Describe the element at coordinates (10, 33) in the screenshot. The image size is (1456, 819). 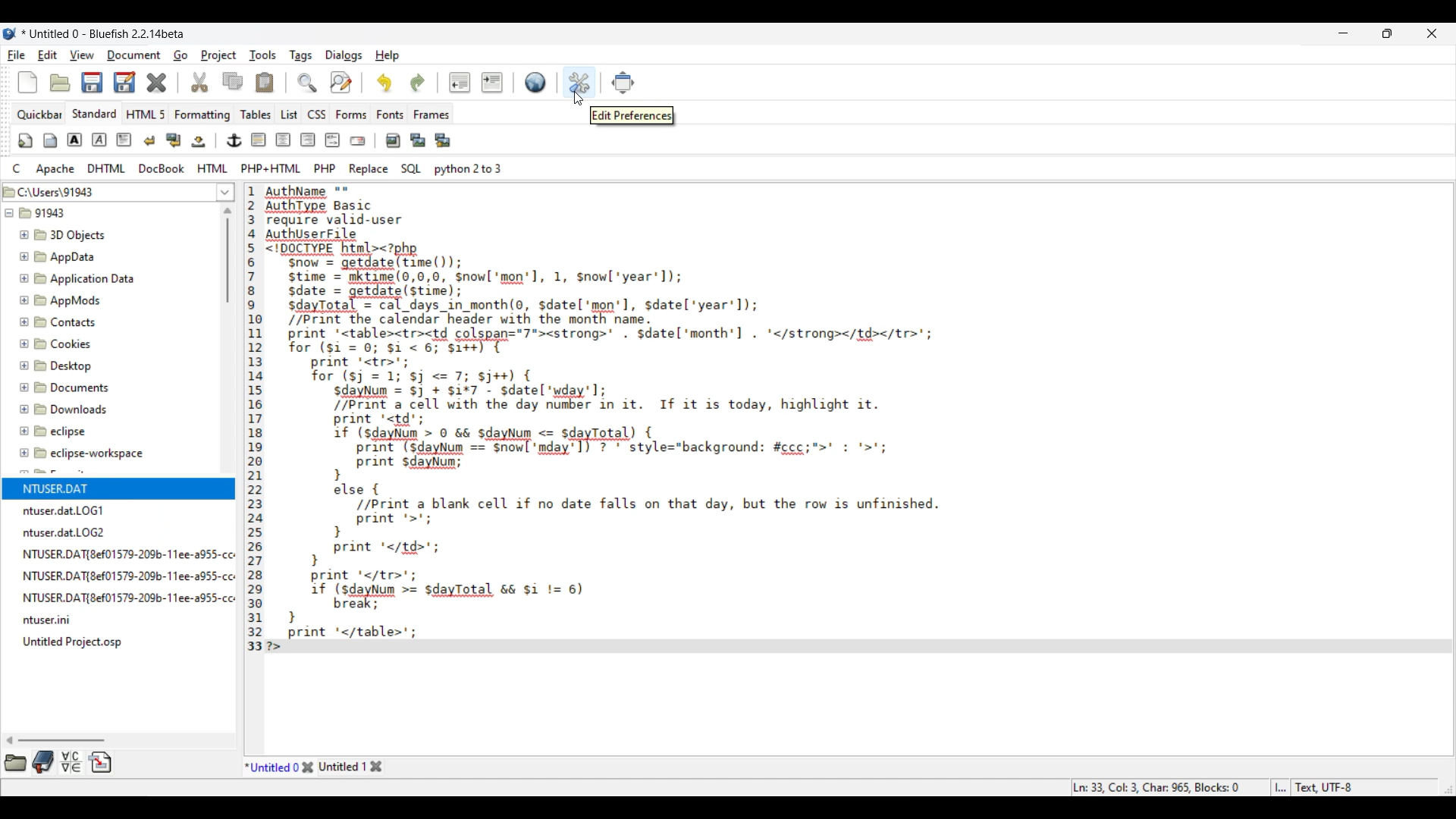
I see `Software logo` at that location.